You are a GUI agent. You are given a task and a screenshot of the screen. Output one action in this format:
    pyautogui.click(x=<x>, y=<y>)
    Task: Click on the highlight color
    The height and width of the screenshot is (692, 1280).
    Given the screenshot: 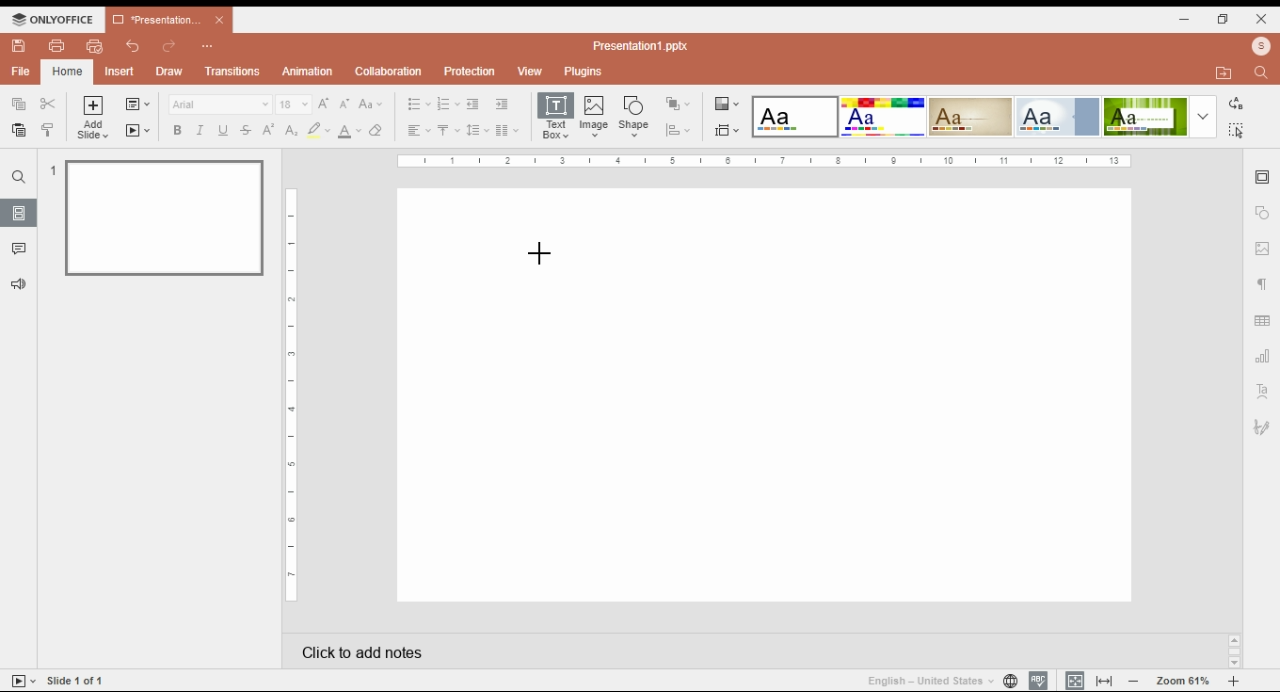 What is the action you would take?
    pyautogui.click(x=317, y=129)
    